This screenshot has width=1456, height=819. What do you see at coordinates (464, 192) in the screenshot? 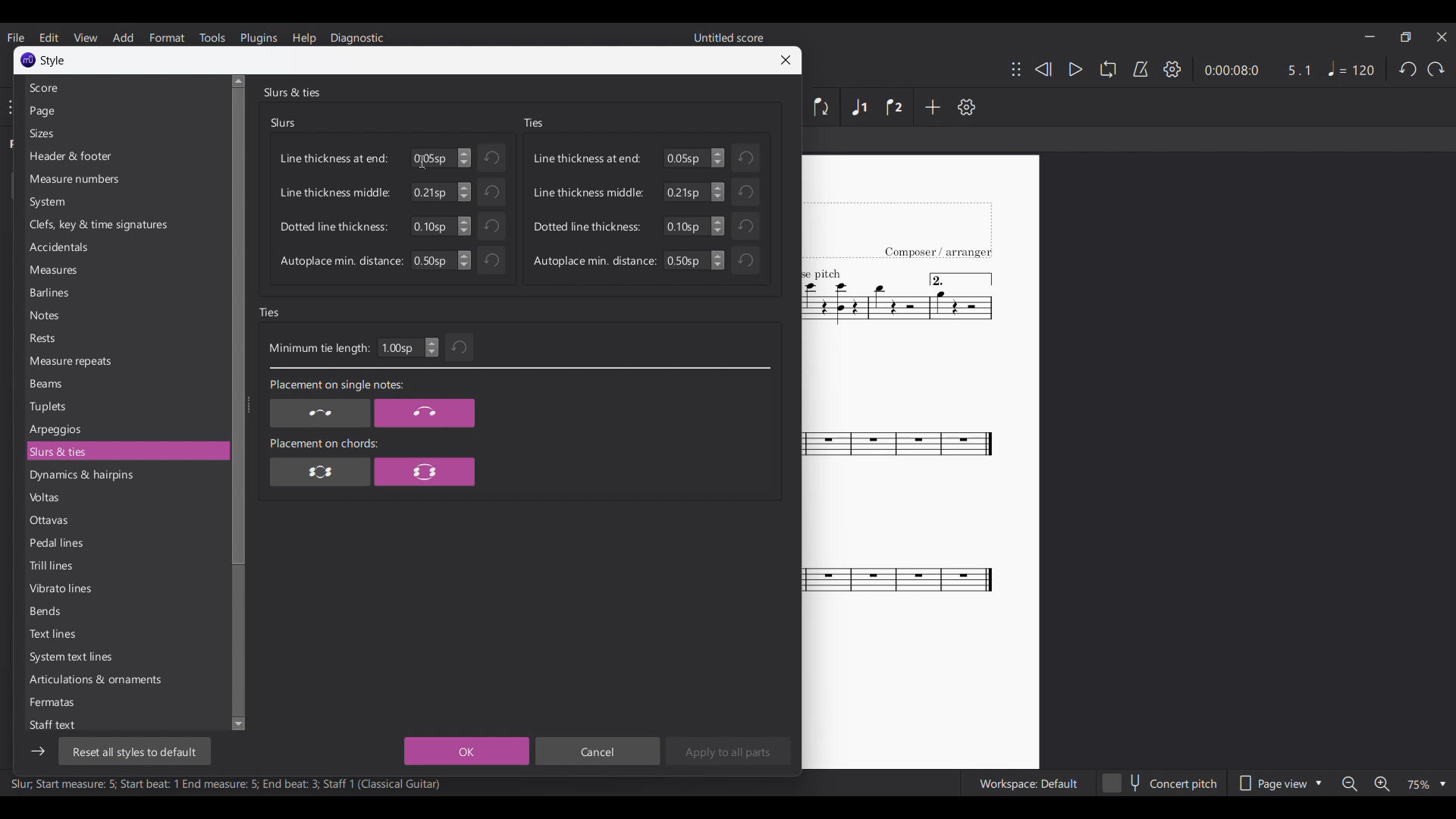
I see `Increase/Decrease line thickness middle` at bounding box center [464, 192].